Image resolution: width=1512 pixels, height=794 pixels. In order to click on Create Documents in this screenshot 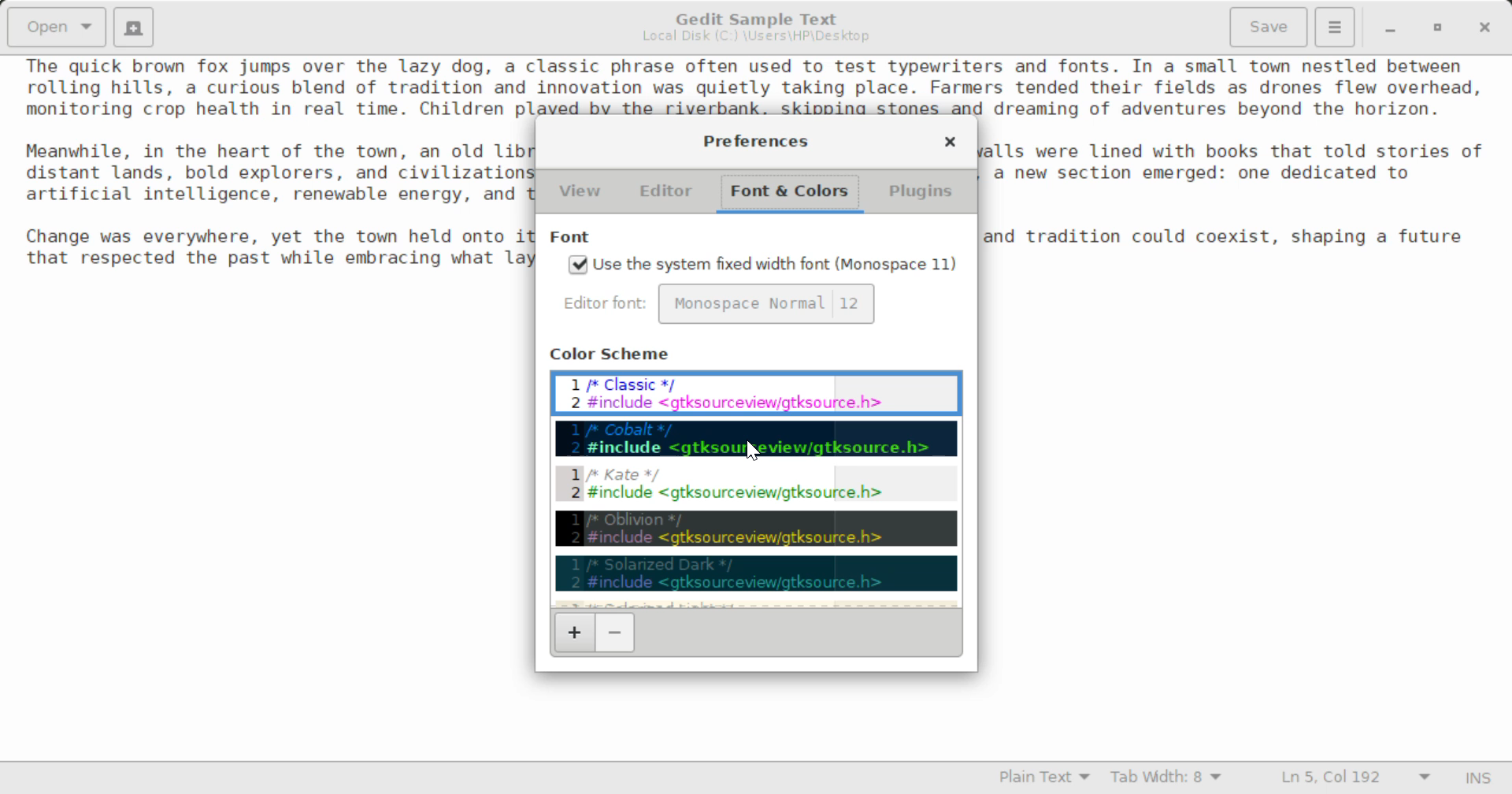, I will do `click(134, 25)`.